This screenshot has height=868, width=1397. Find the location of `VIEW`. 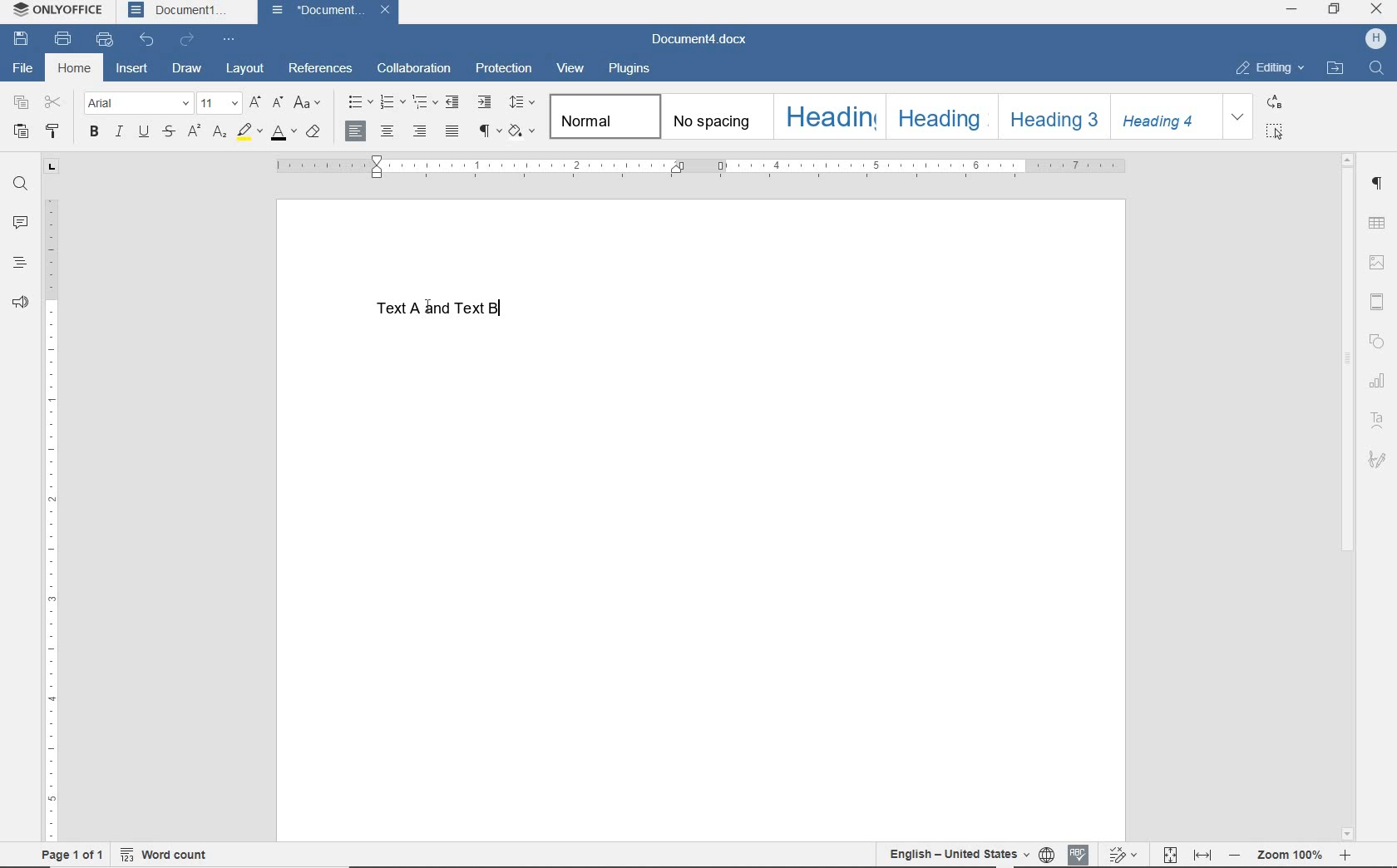

VIEW is located at coordinates (572, 69).